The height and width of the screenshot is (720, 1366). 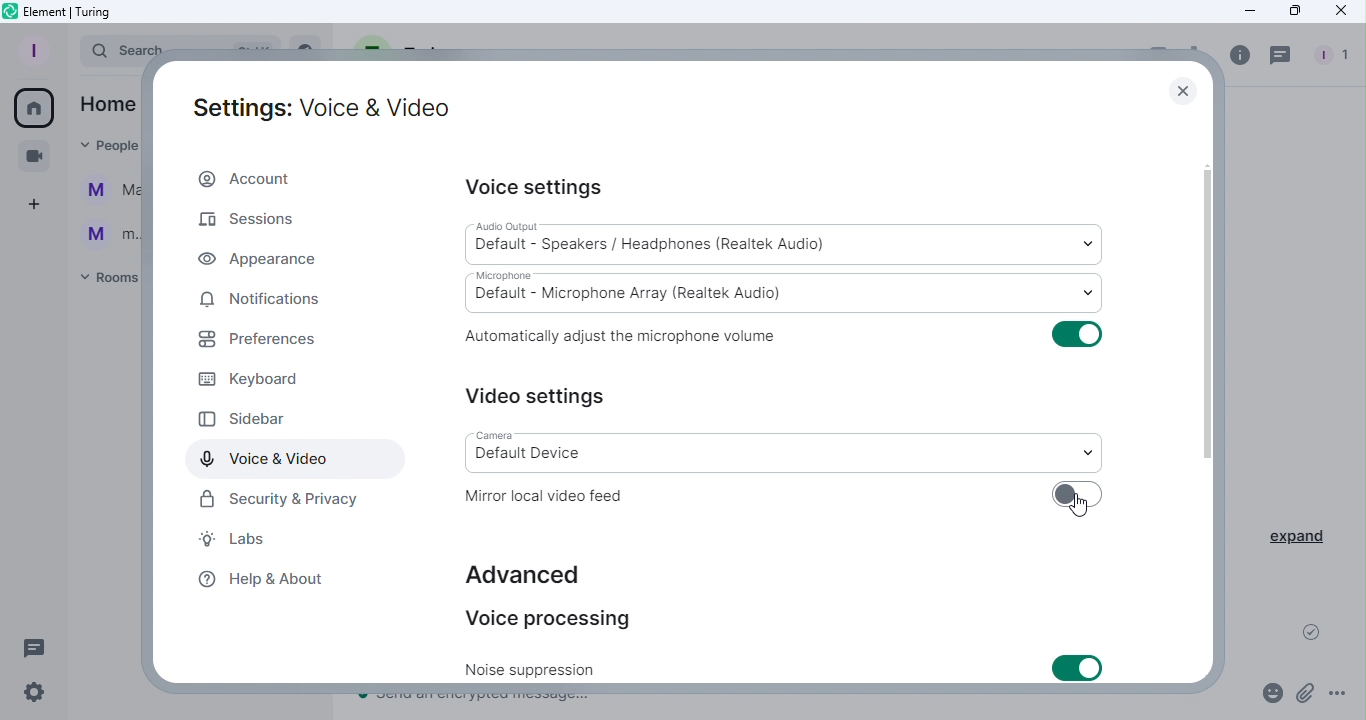 I want to click on Element icon, so click(x=84, y=13).